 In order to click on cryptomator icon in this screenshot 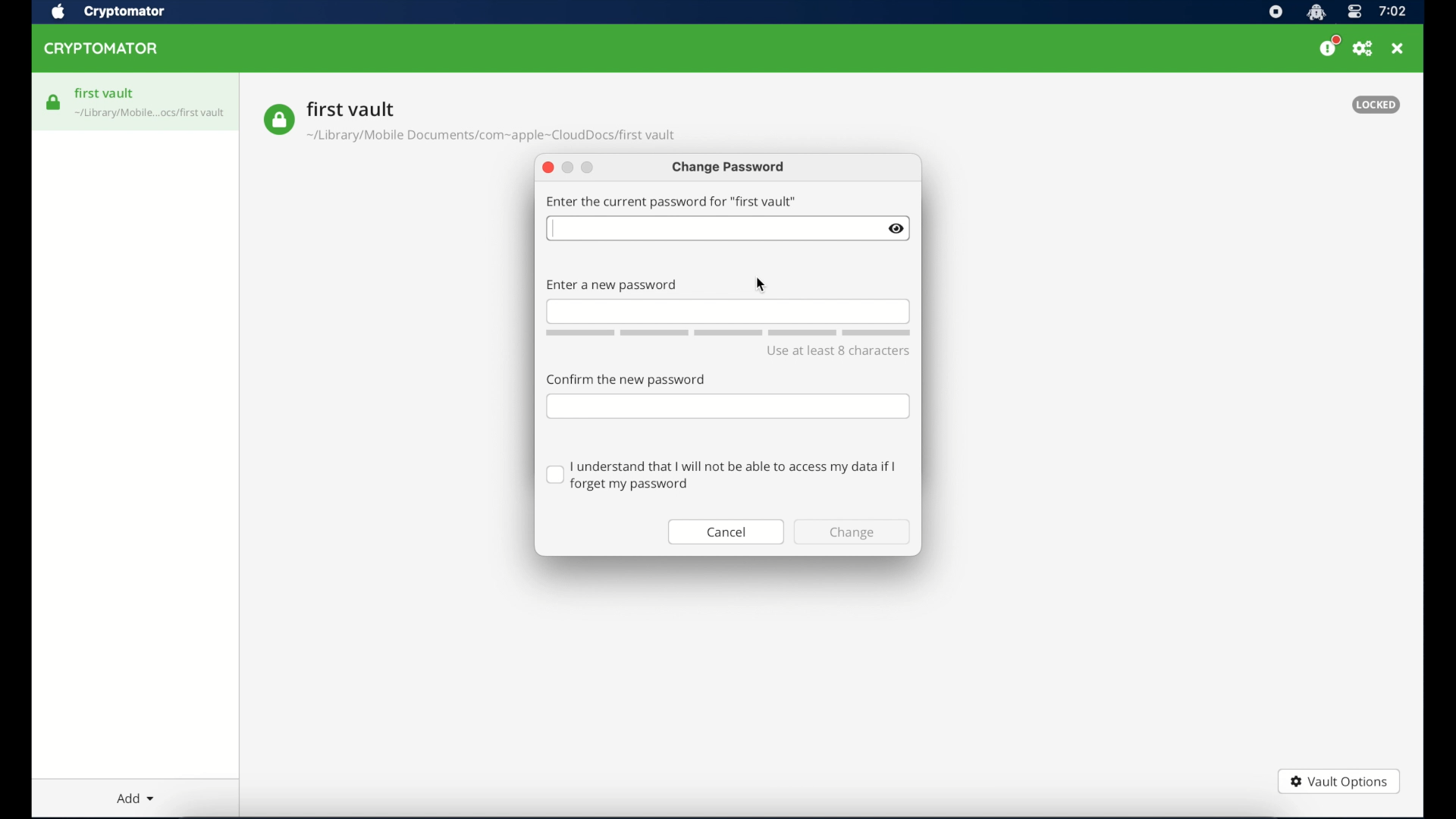, I will do `click(1316, 13)`.